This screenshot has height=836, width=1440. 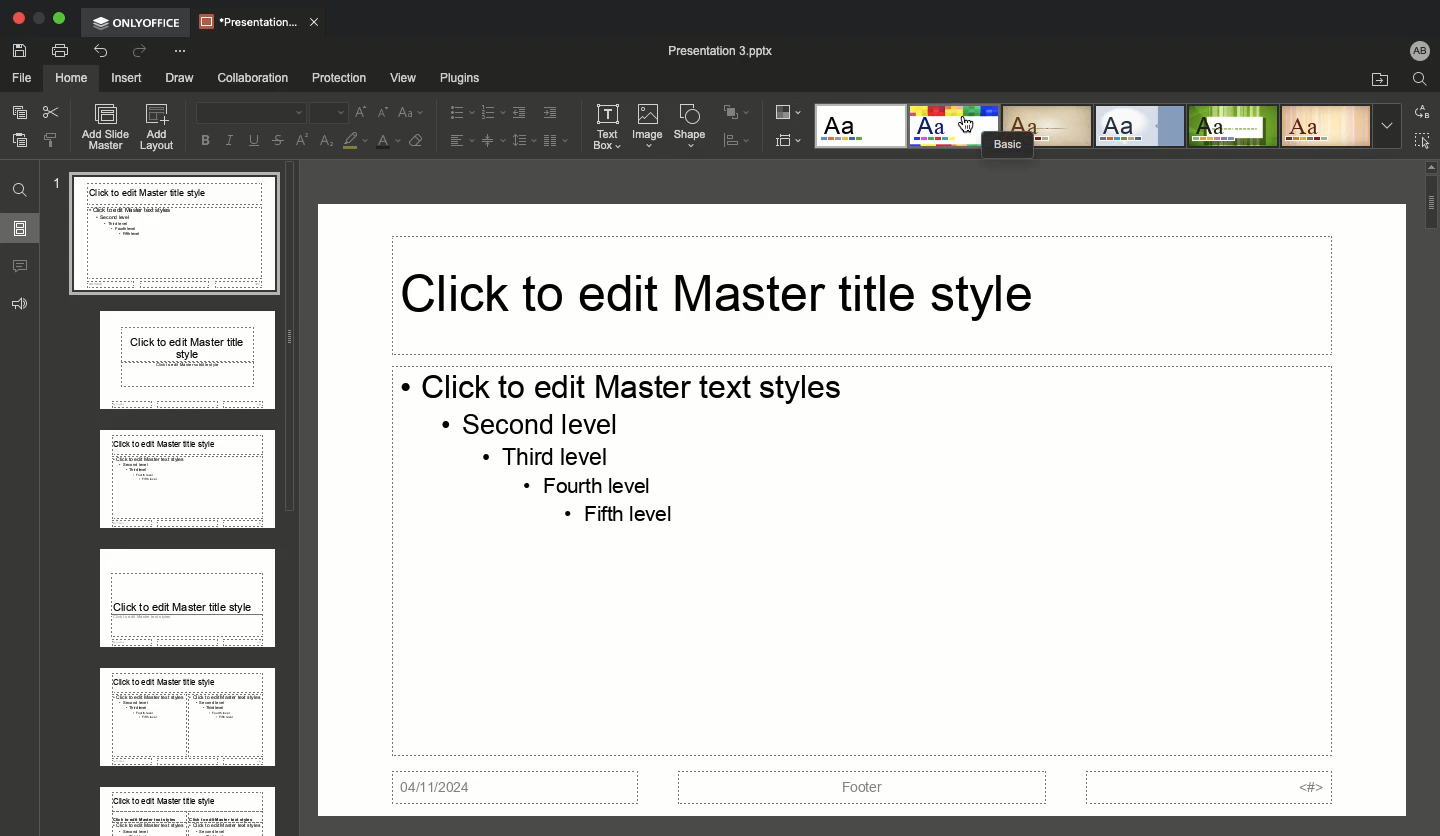 What do you see at coordinates (179, 76) in the screenshot?
I see `Draw` at bounding box center [179, 76].